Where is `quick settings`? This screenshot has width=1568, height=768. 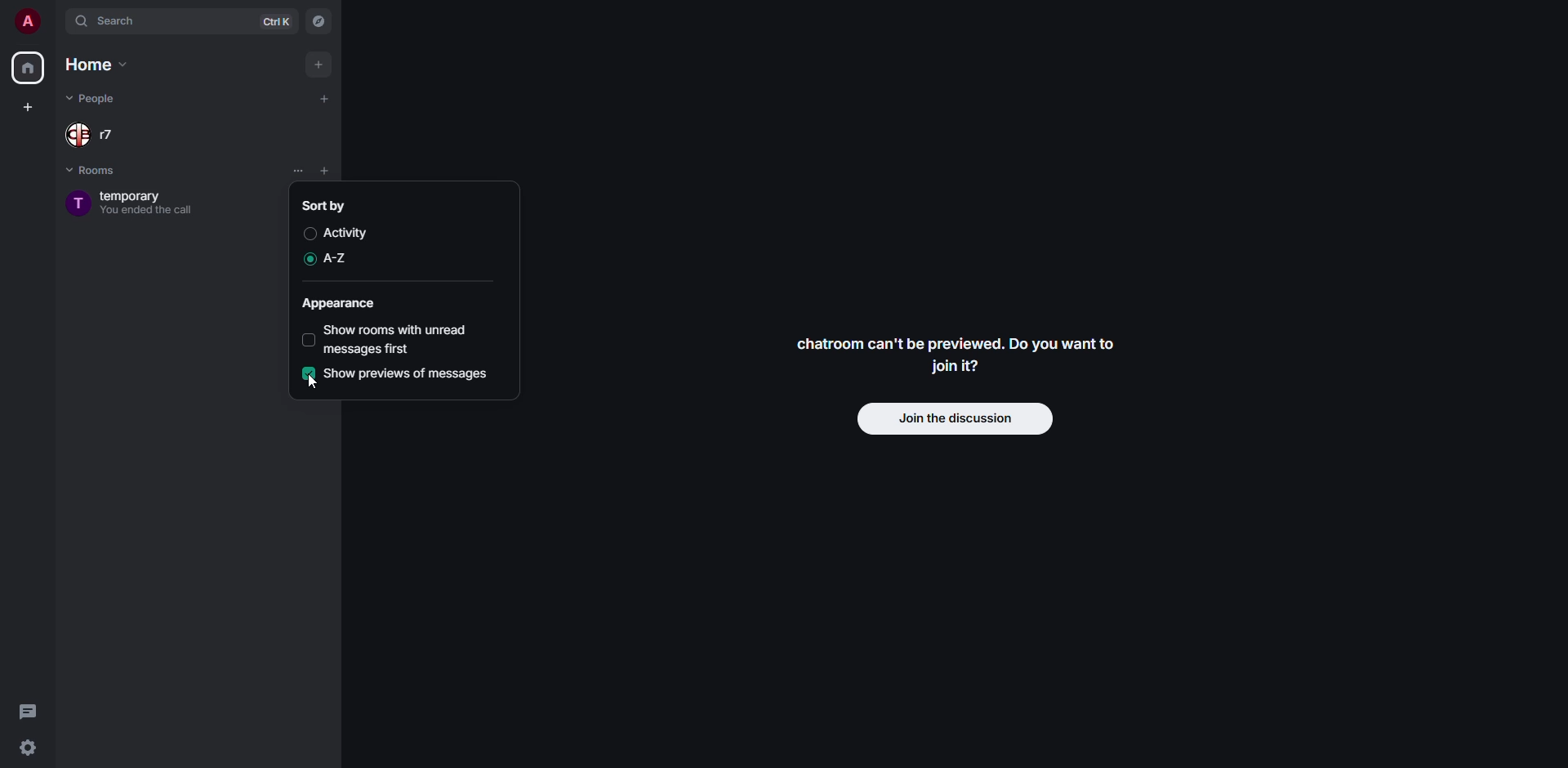 quick settings is located at coordinates (28, 747).